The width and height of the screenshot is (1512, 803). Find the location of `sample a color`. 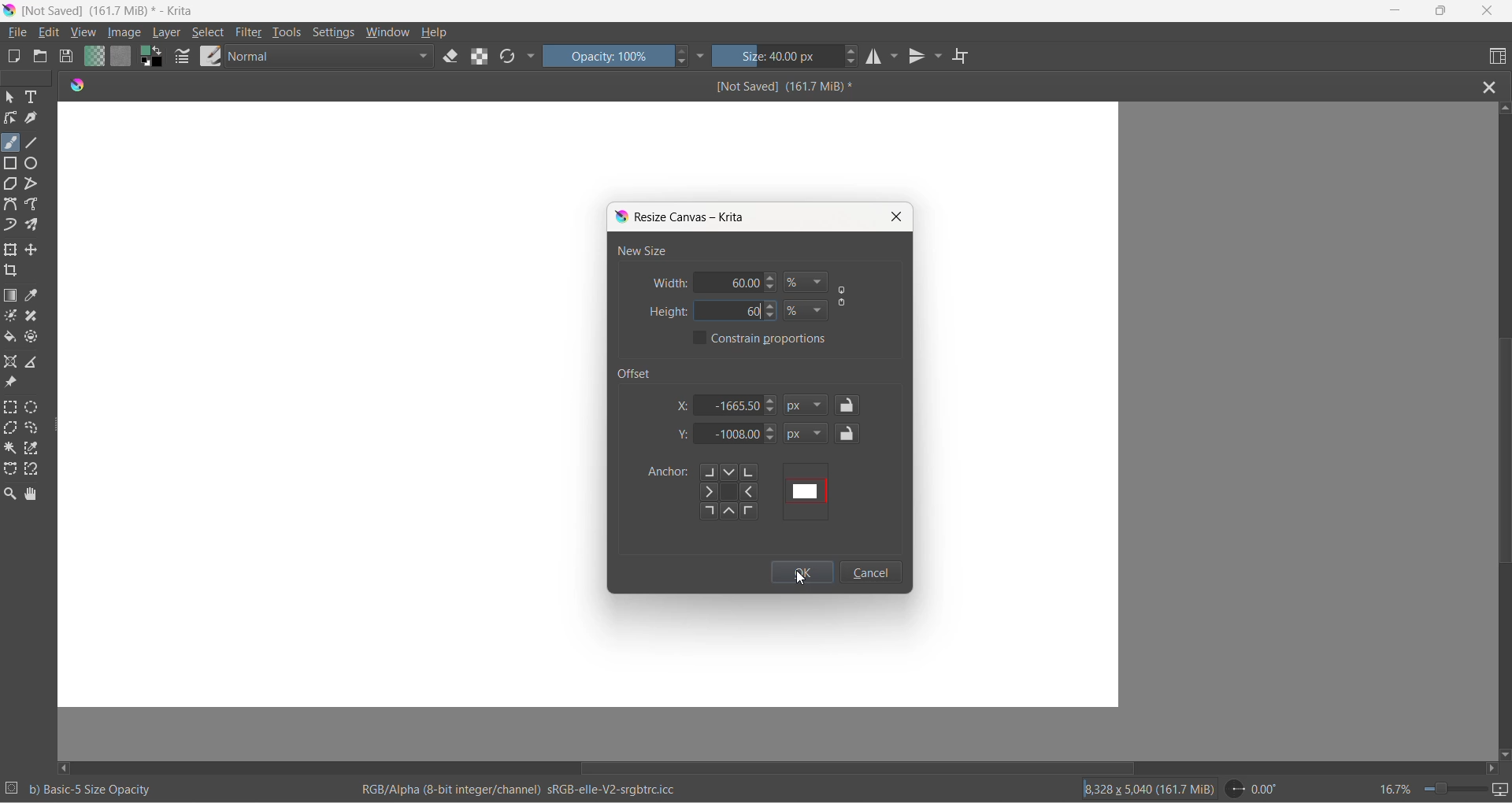

sample a color is located at coordinates (34, 297).